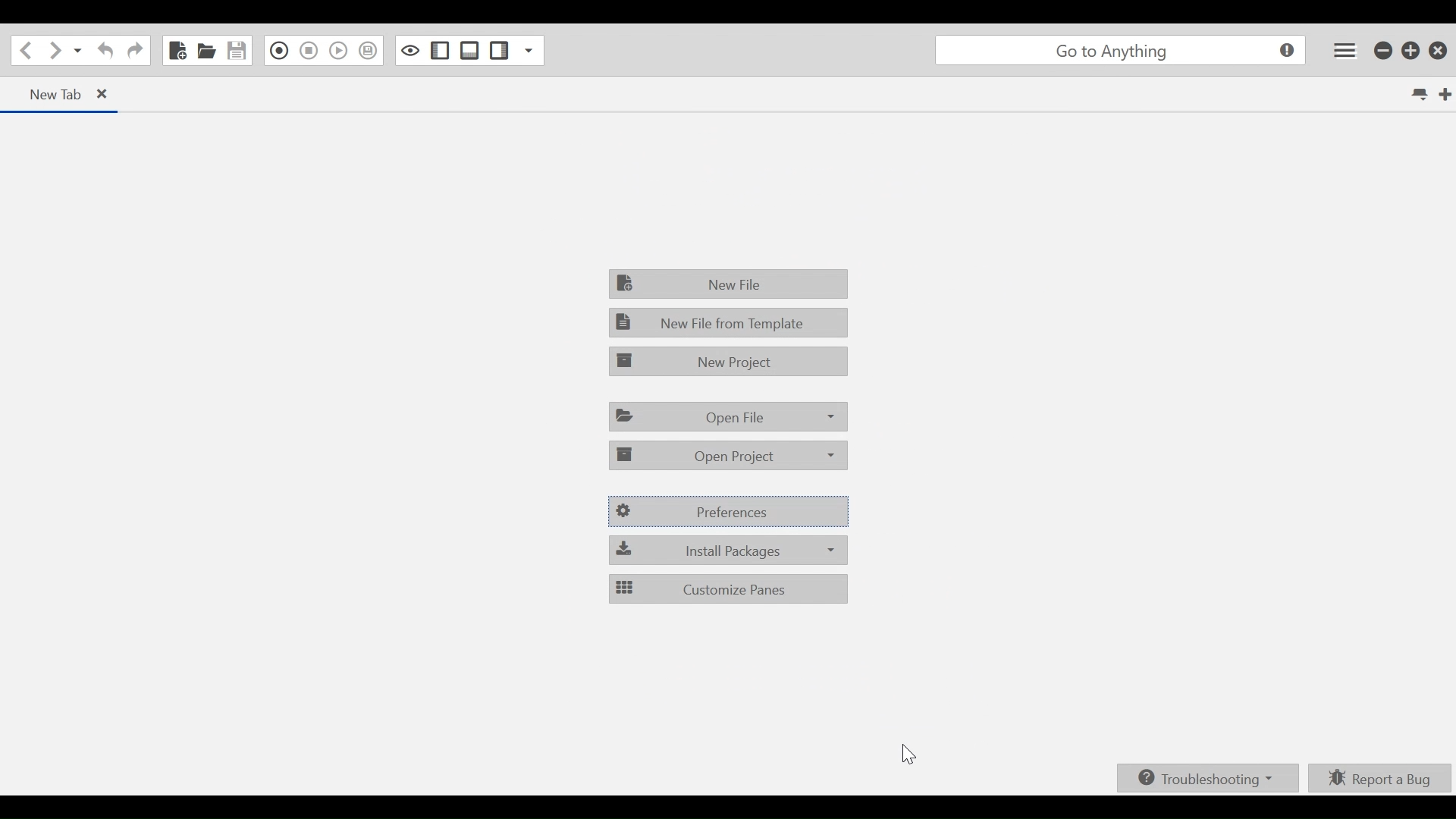 This screenshot has height=819, width=1456. I want to click on Go forward one location, so click(54, 52).